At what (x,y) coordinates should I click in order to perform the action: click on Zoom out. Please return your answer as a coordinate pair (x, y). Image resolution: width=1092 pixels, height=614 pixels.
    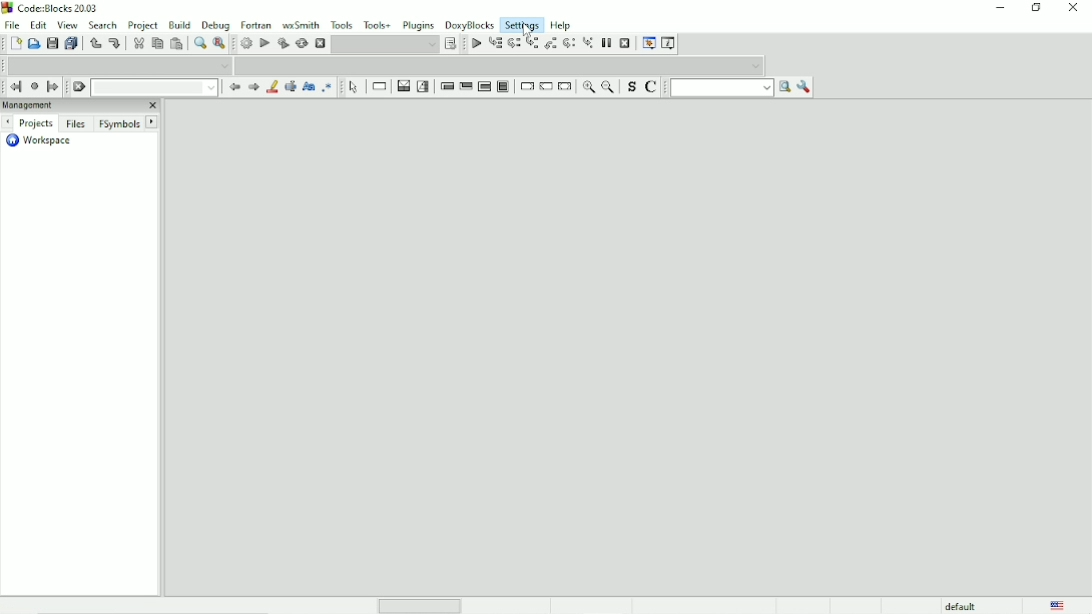
    Looking at the image, I should click on (609, 88).